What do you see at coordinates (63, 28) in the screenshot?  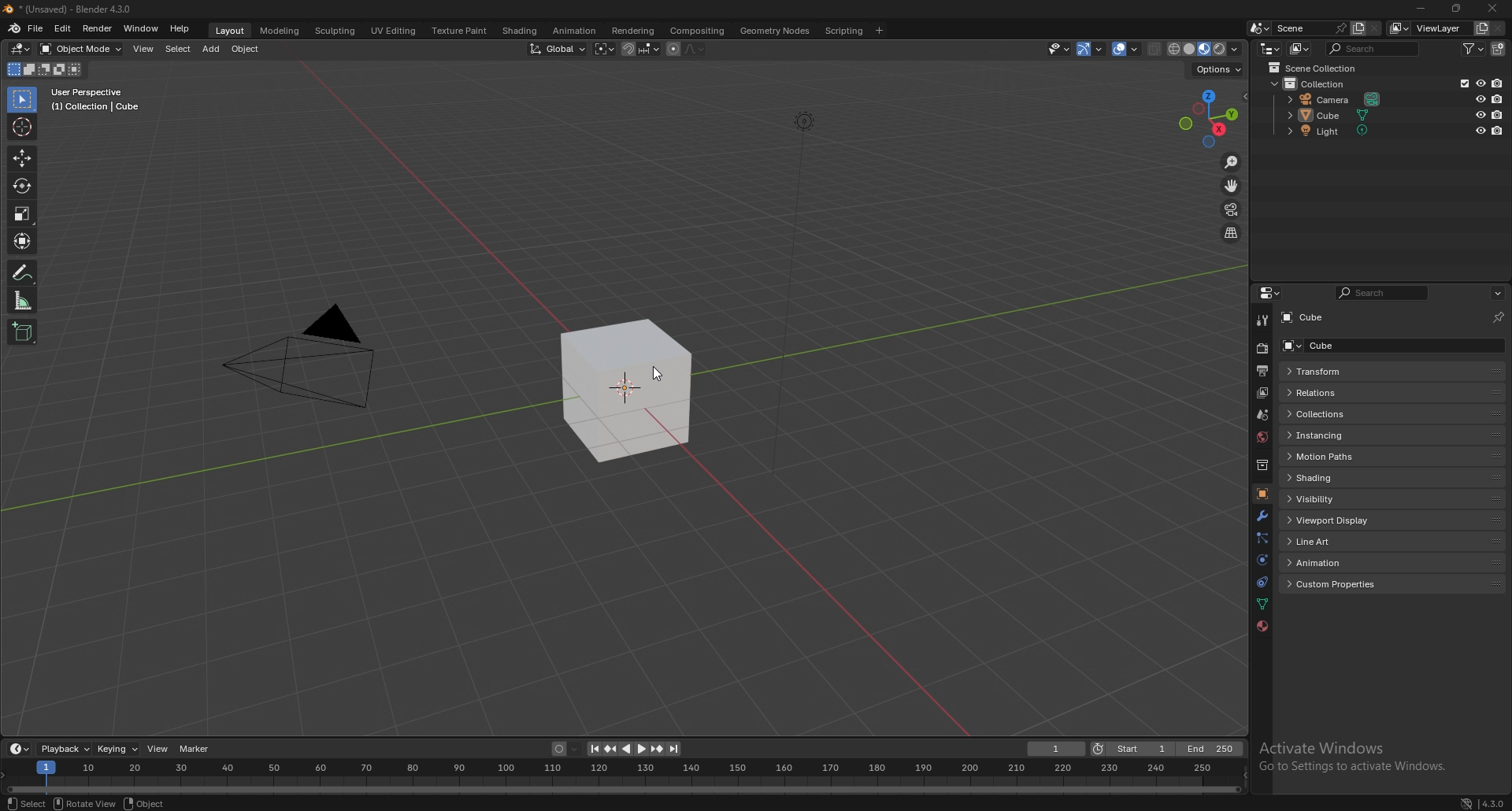 I see `edit` at bounding box center [63, 28].